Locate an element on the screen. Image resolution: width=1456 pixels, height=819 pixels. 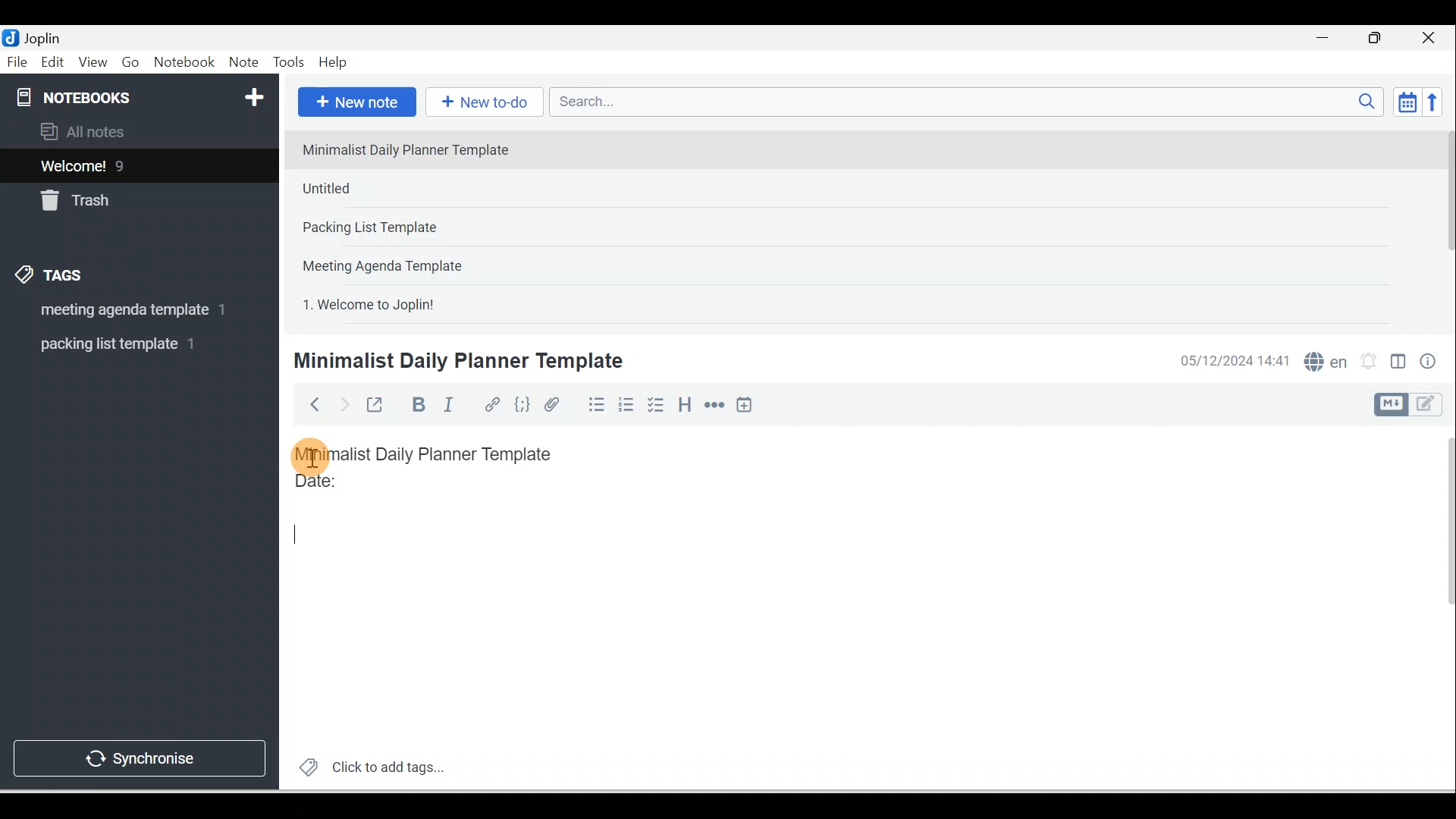
Joplin is located at coordinates (46, 36).